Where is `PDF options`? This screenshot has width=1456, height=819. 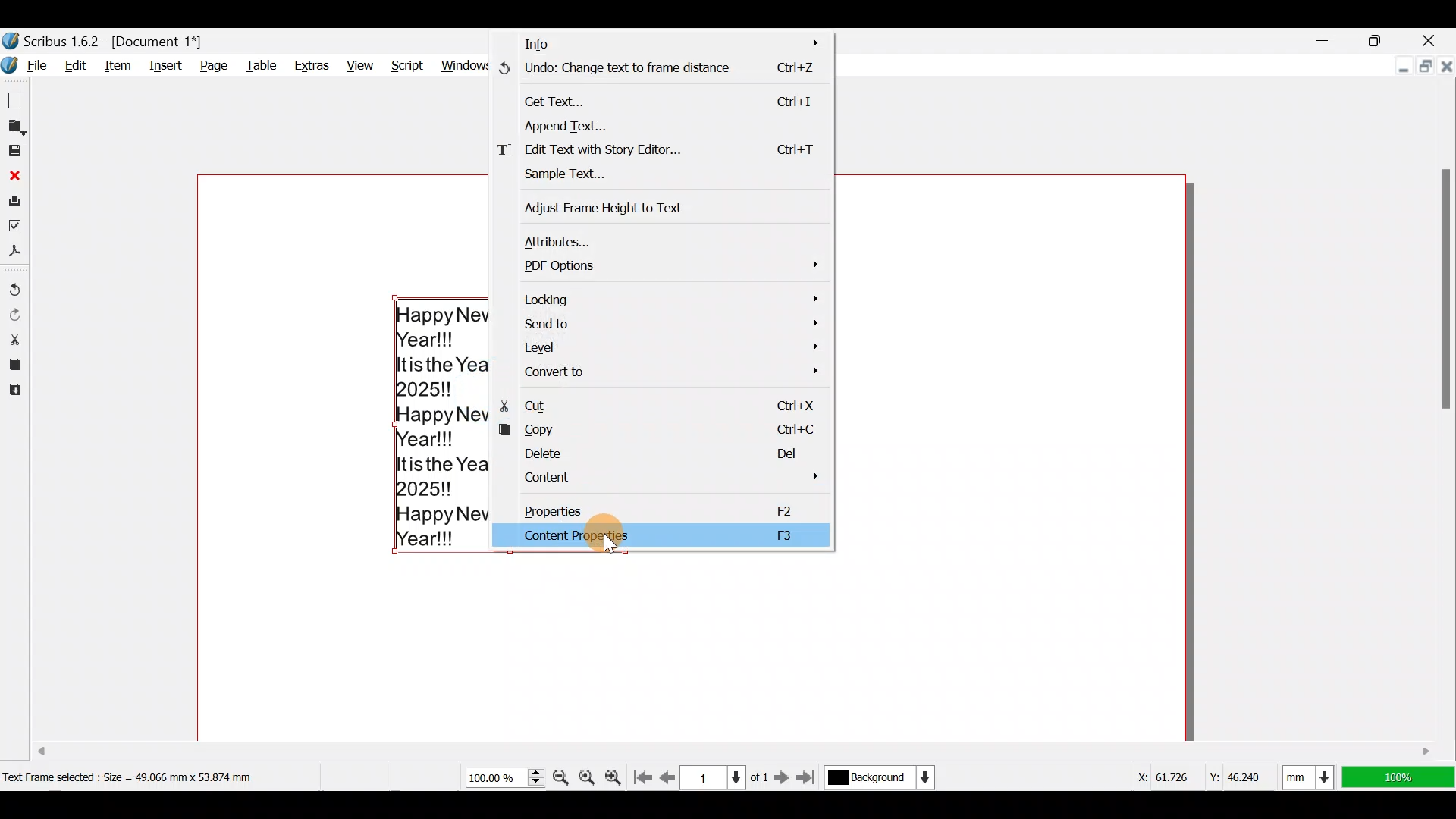
PDF options is located at coordinates (674, 265).